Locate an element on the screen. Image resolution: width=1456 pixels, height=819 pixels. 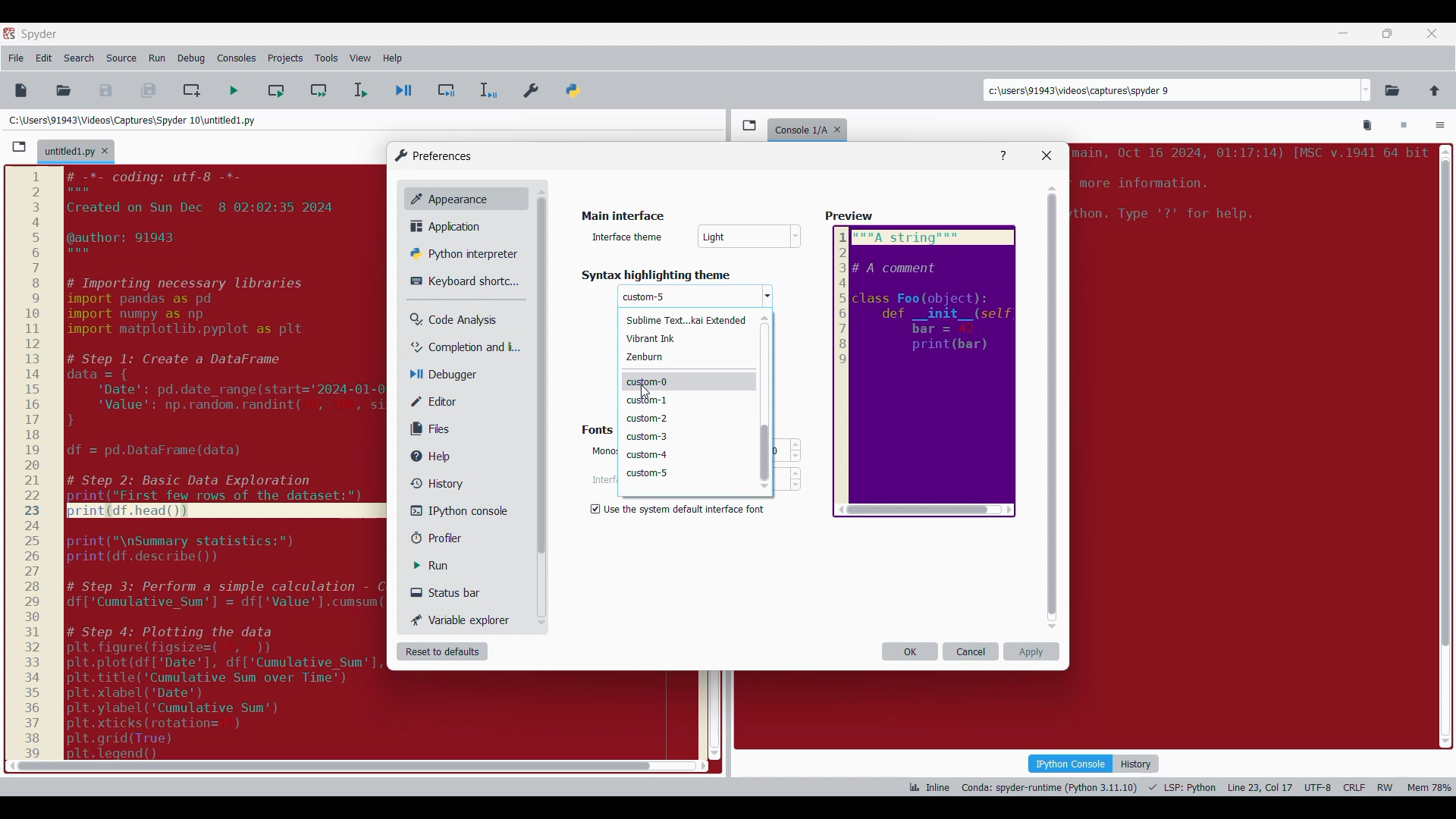
Completion and linting is located at coordinates (456, 347).